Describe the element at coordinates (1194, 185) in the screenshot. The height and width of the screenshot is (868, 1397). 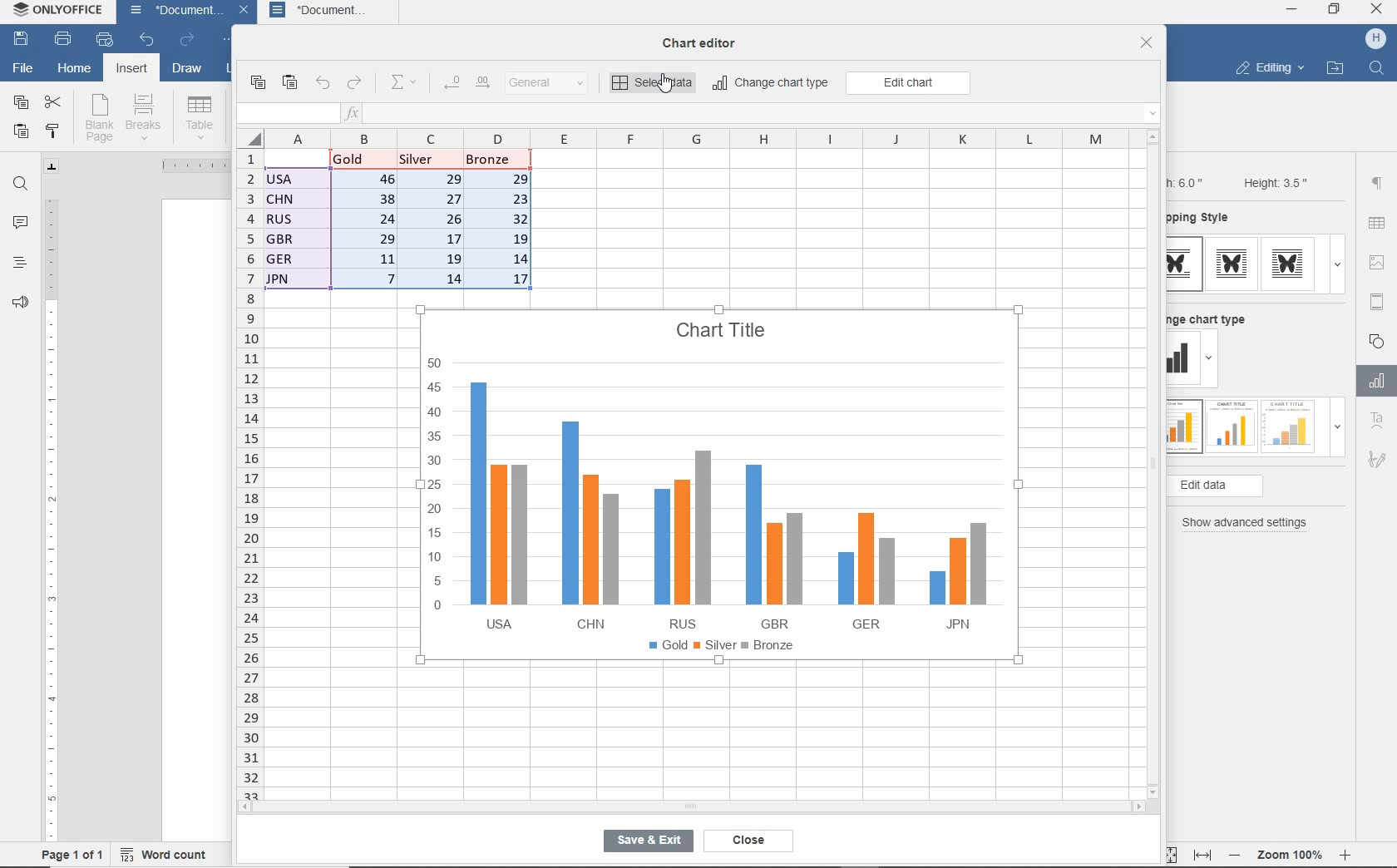
I see `Width: 6.0"` at that location.